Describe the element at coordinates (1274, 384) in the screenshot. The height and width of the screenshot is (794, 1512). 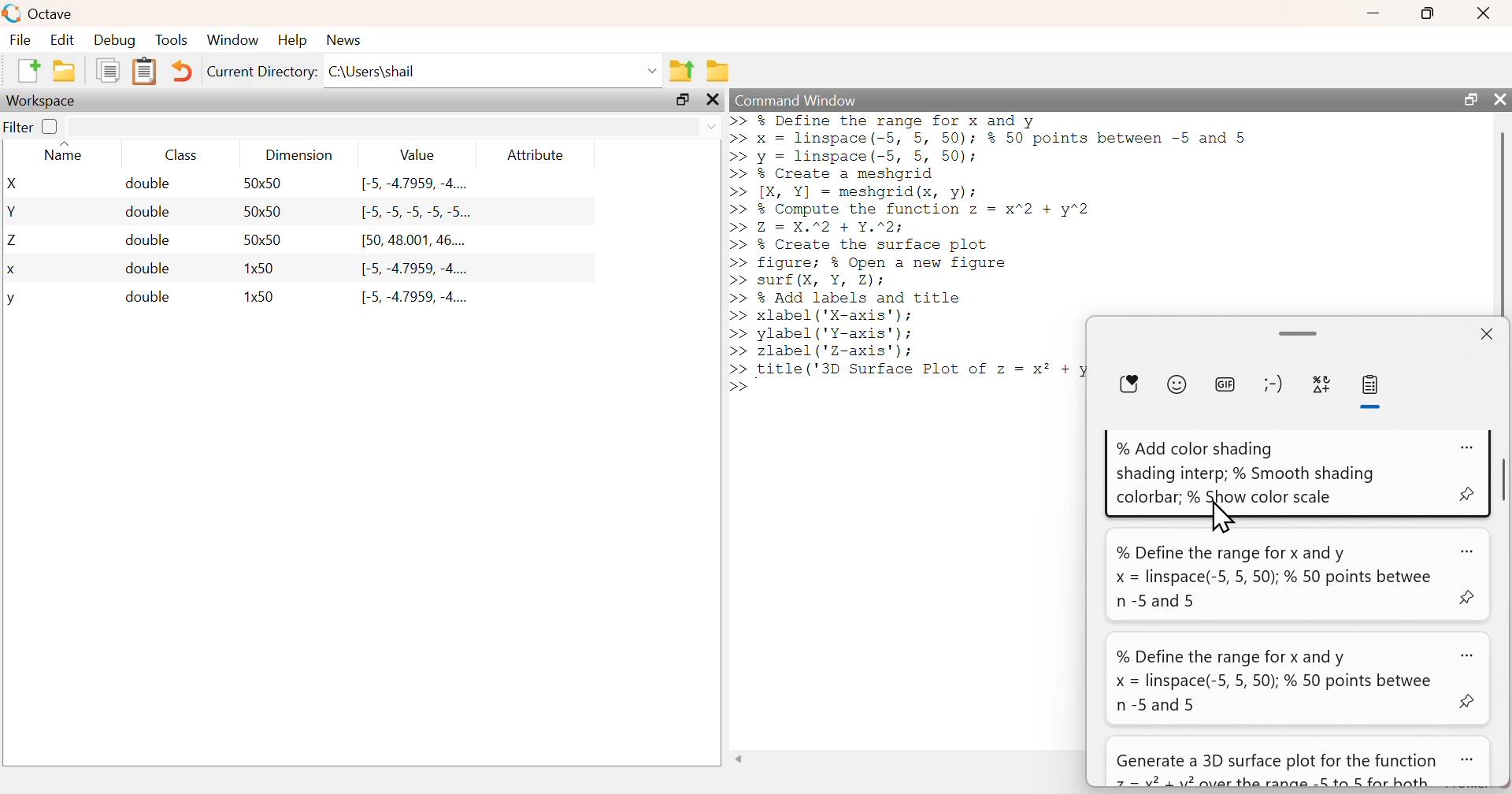
I see `Emoticon` at that location.